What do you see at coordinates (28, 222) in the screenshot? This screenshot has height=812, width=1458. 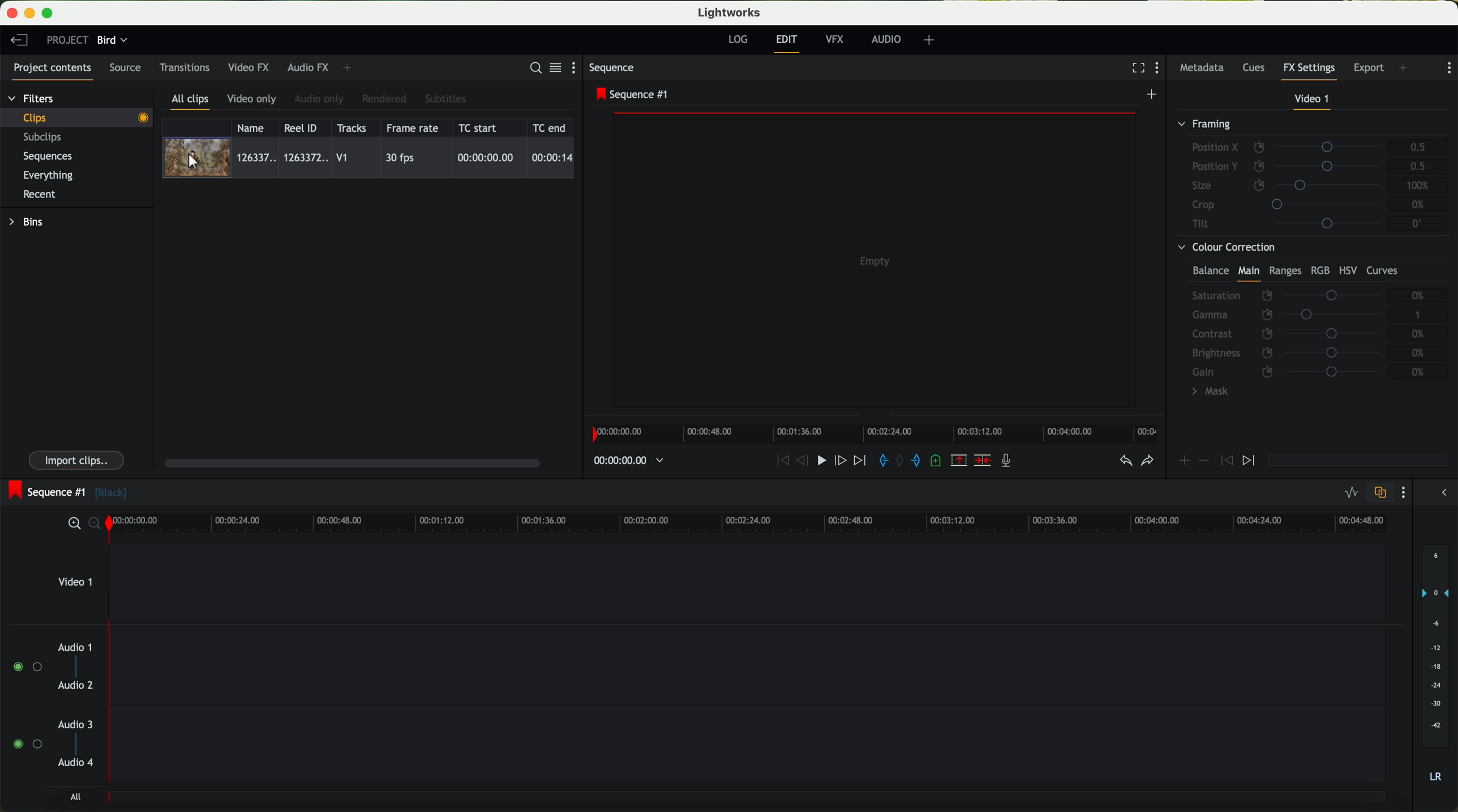 I see `bins` at bounding box center [28, 222].